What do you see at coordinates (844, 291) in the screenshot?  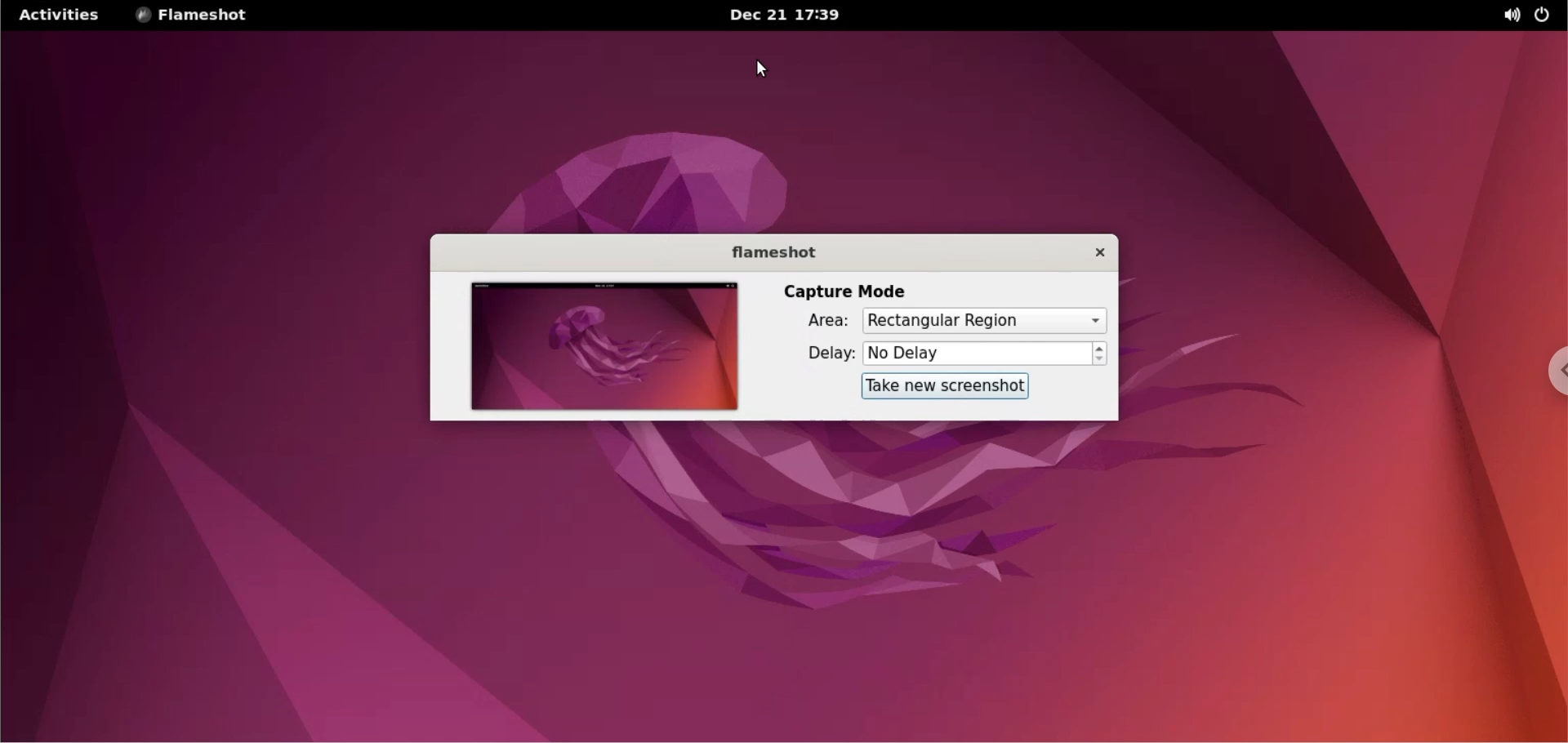 I see `capture mode` at bounding box center [844, 291].